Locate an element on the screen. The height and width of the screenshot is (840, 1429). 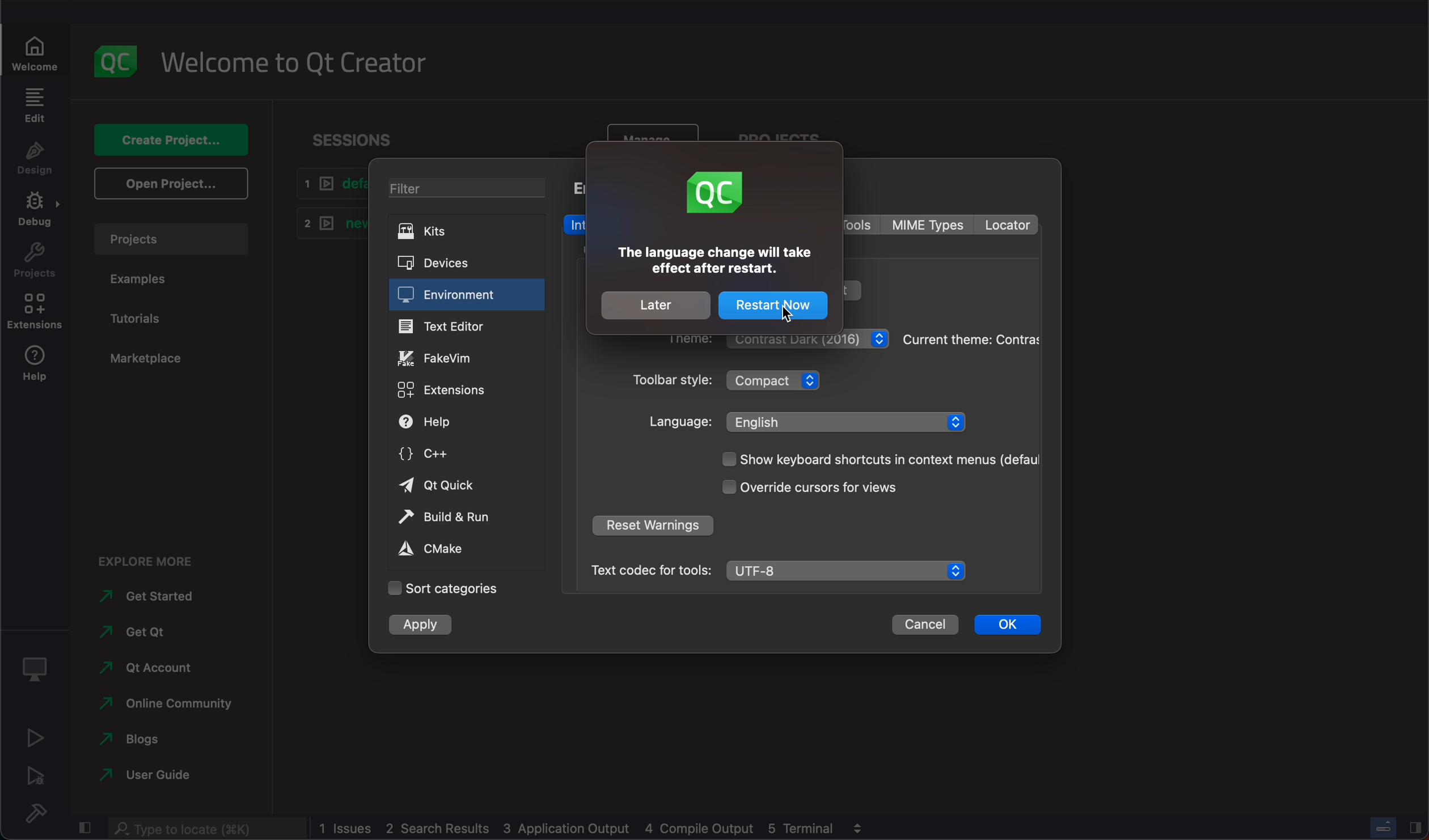
view output is located at coordinates (856, 828).